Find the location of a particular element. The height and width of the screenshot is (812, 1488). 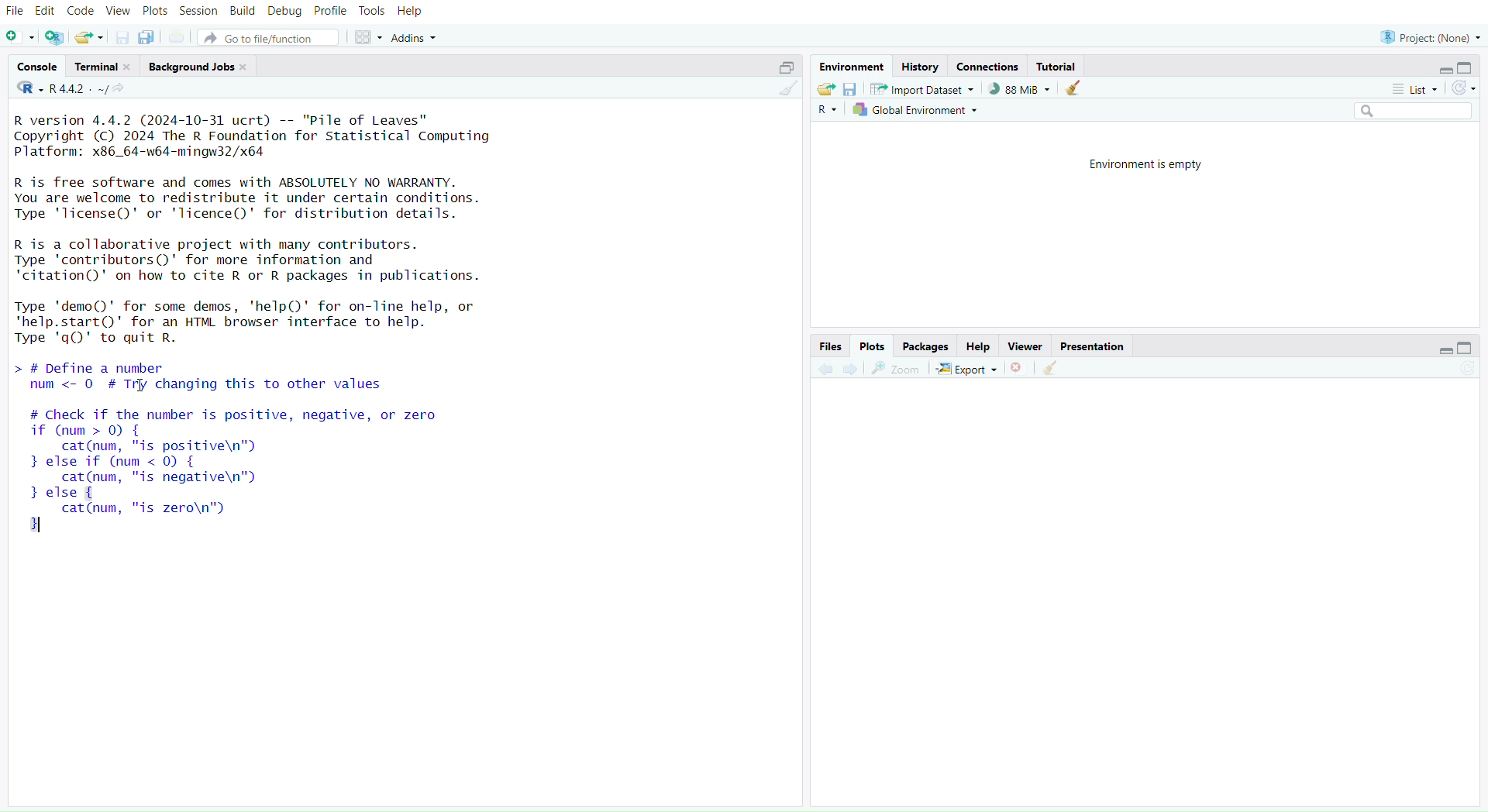

tutorial is located at coordinates (1057, 66).